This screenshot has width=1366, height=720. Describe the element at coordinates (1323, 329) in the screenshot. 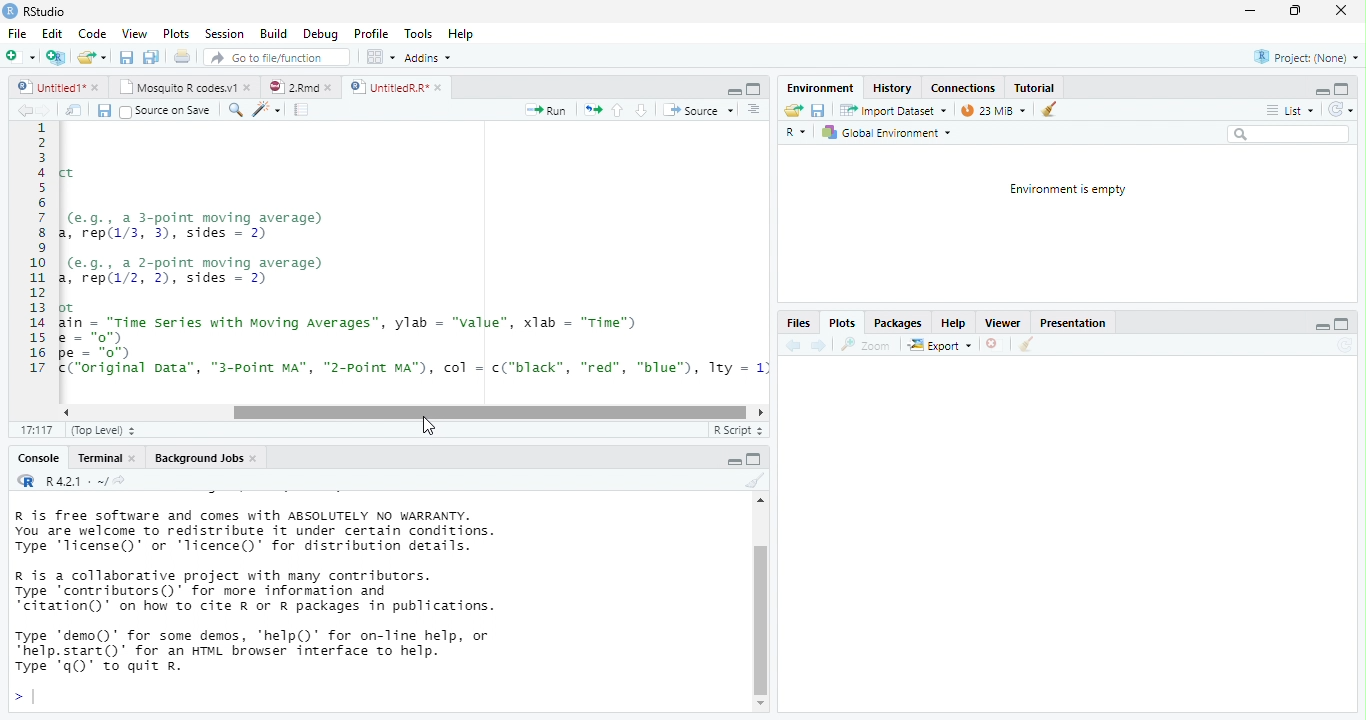

I see `minimize` at that location.